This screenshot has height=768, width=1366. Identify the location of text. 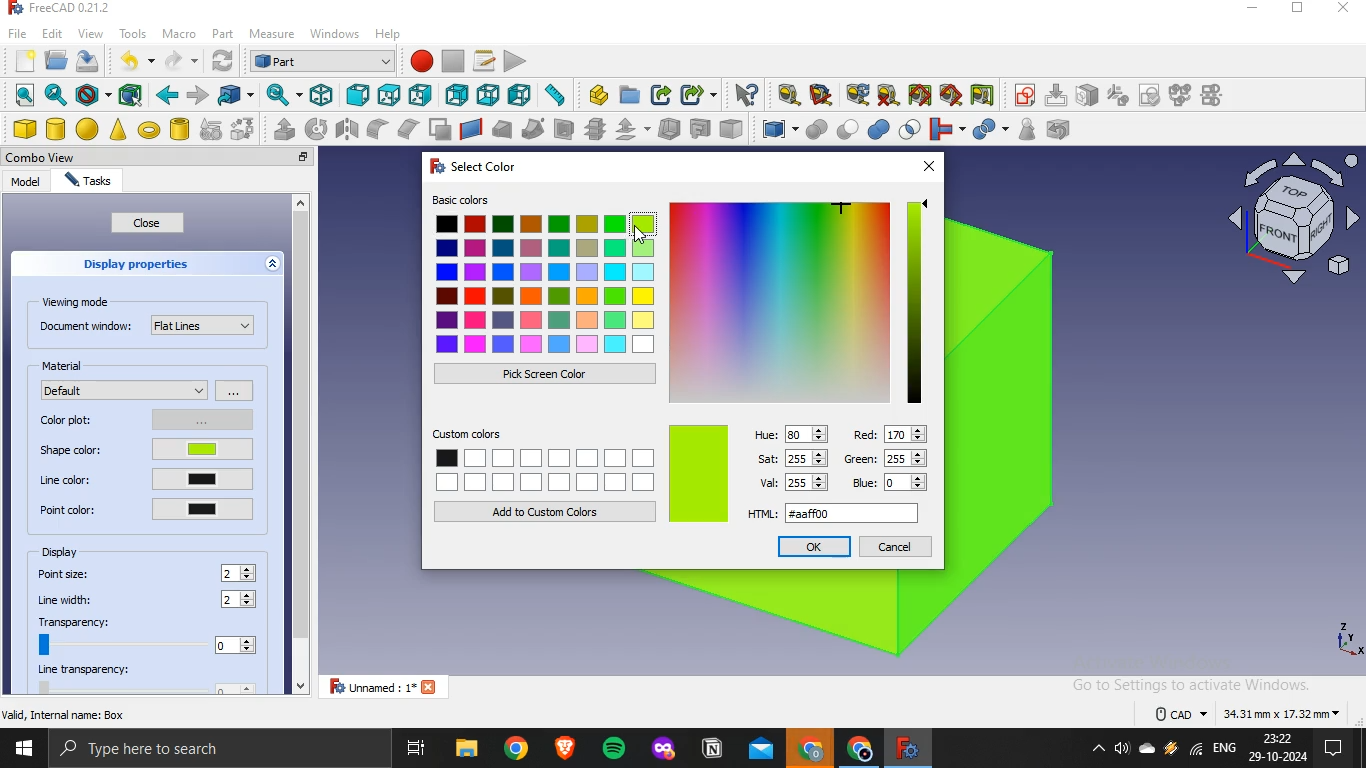
(1249, 711).